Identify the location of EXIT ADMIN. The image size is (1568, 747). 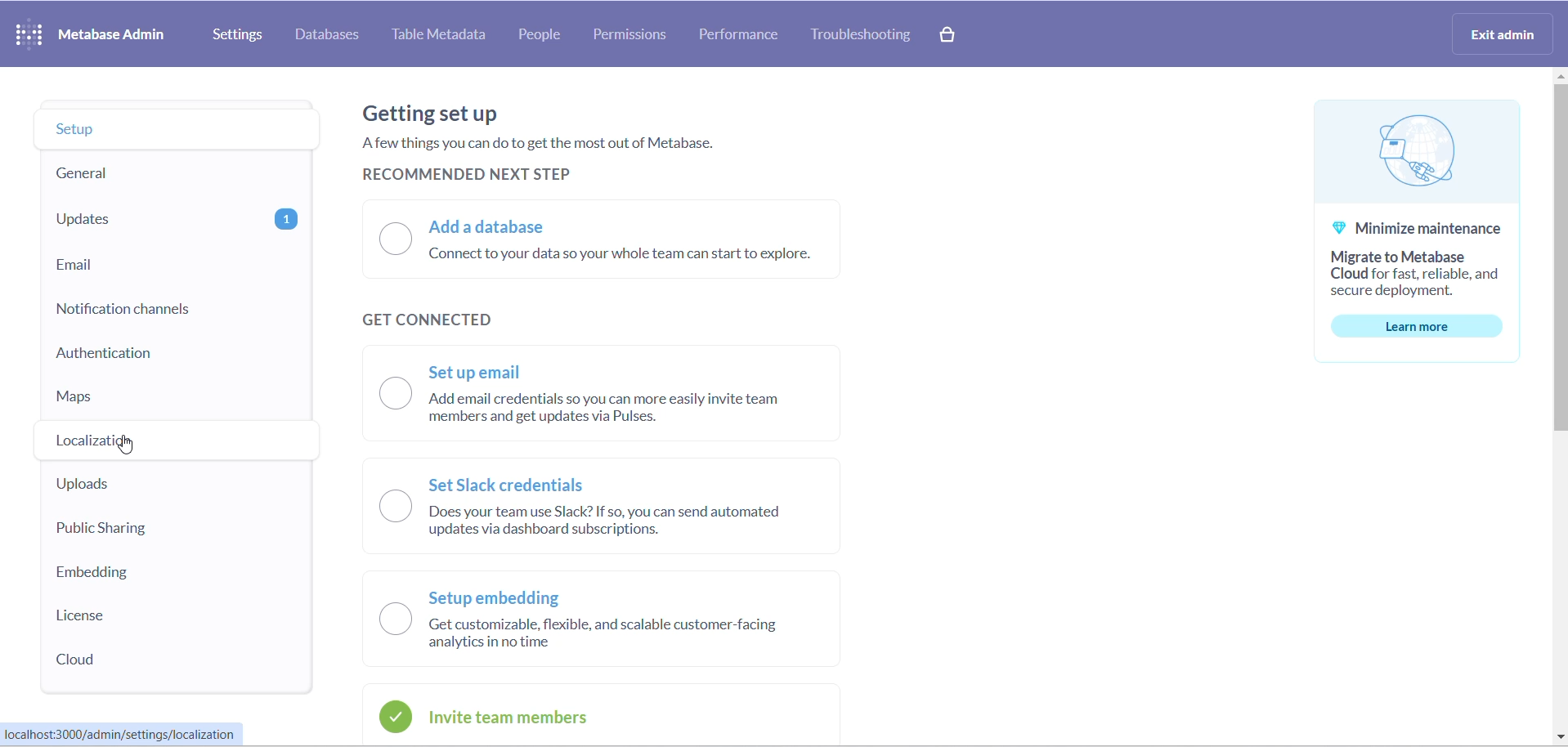
(1507, 33).